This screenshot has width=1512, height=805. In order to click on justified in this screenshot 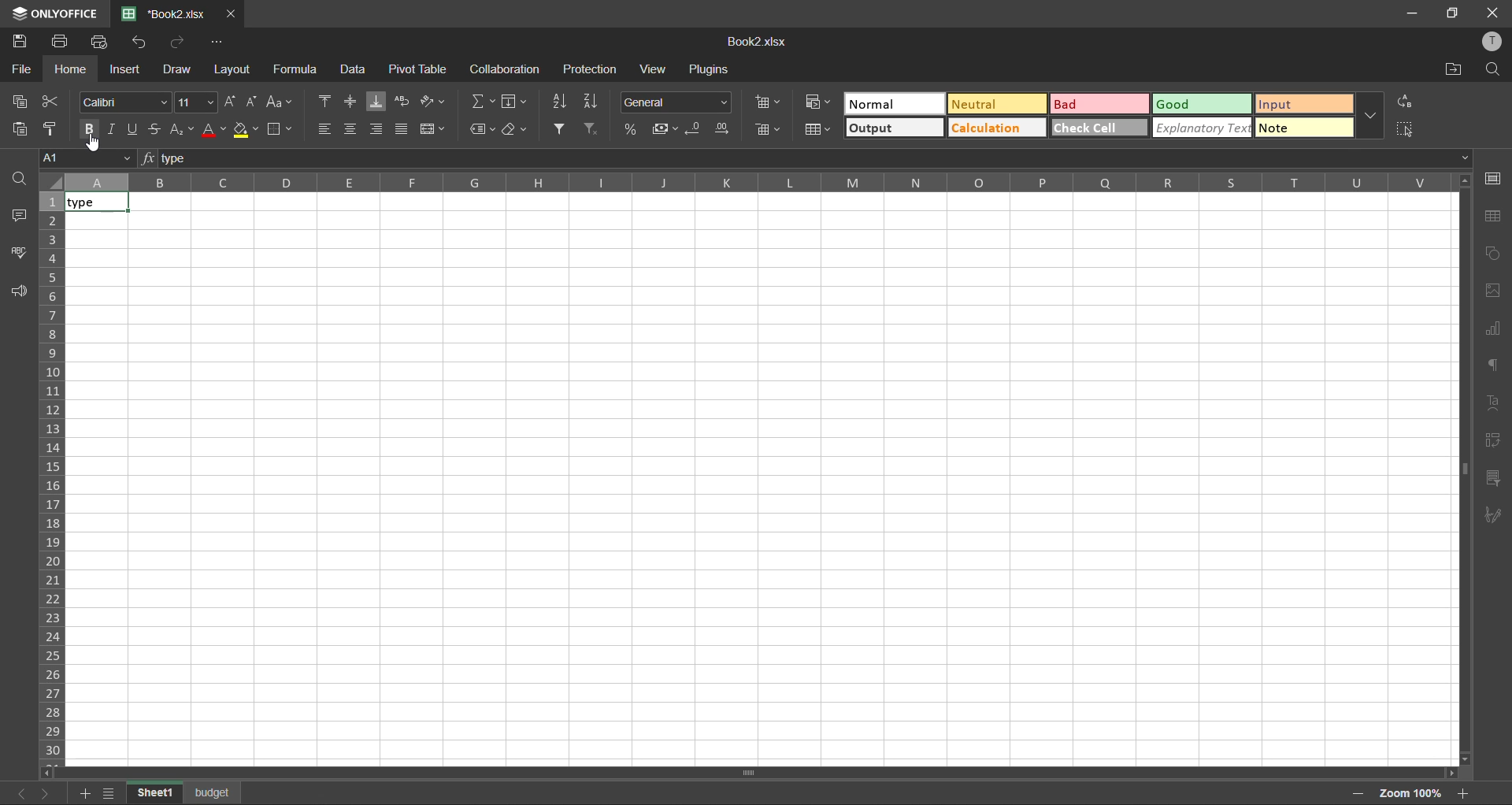, I will do `click(403, 128)`.